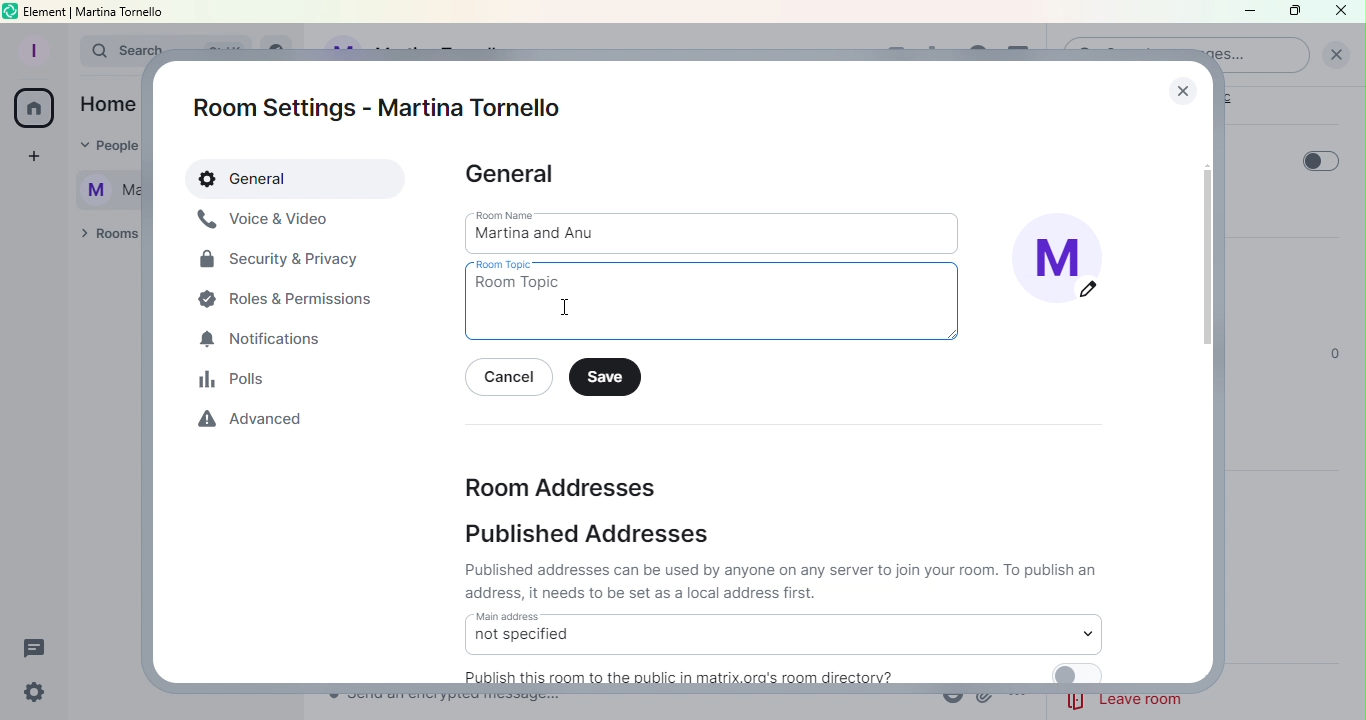 The width and height of the screenshot is (1366, 720). I want to click on Martina Tornello, so click(101, 187).